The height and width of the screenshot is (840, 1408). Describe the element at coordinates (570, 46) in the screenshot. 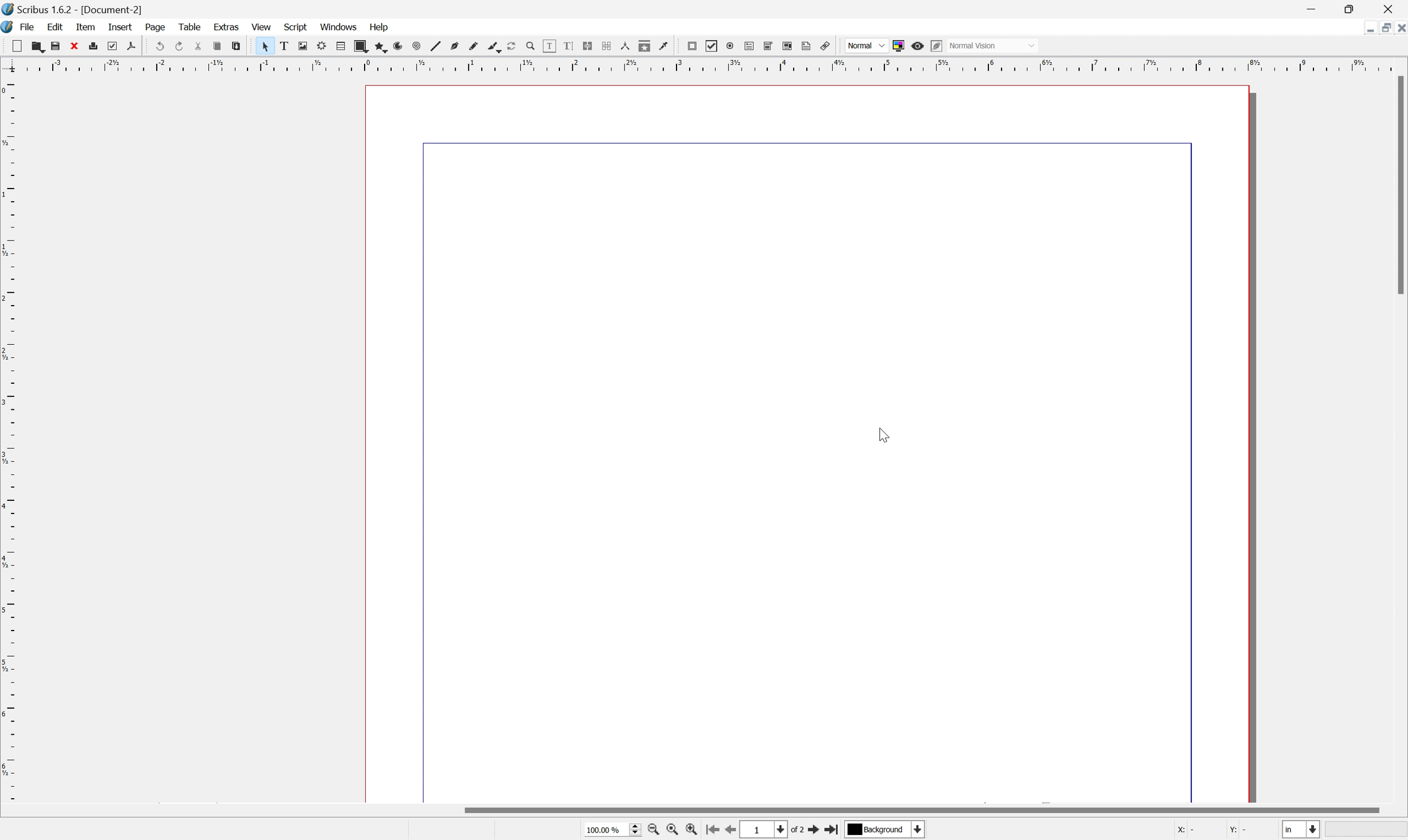

I see `Edit text with story editor` at that location.